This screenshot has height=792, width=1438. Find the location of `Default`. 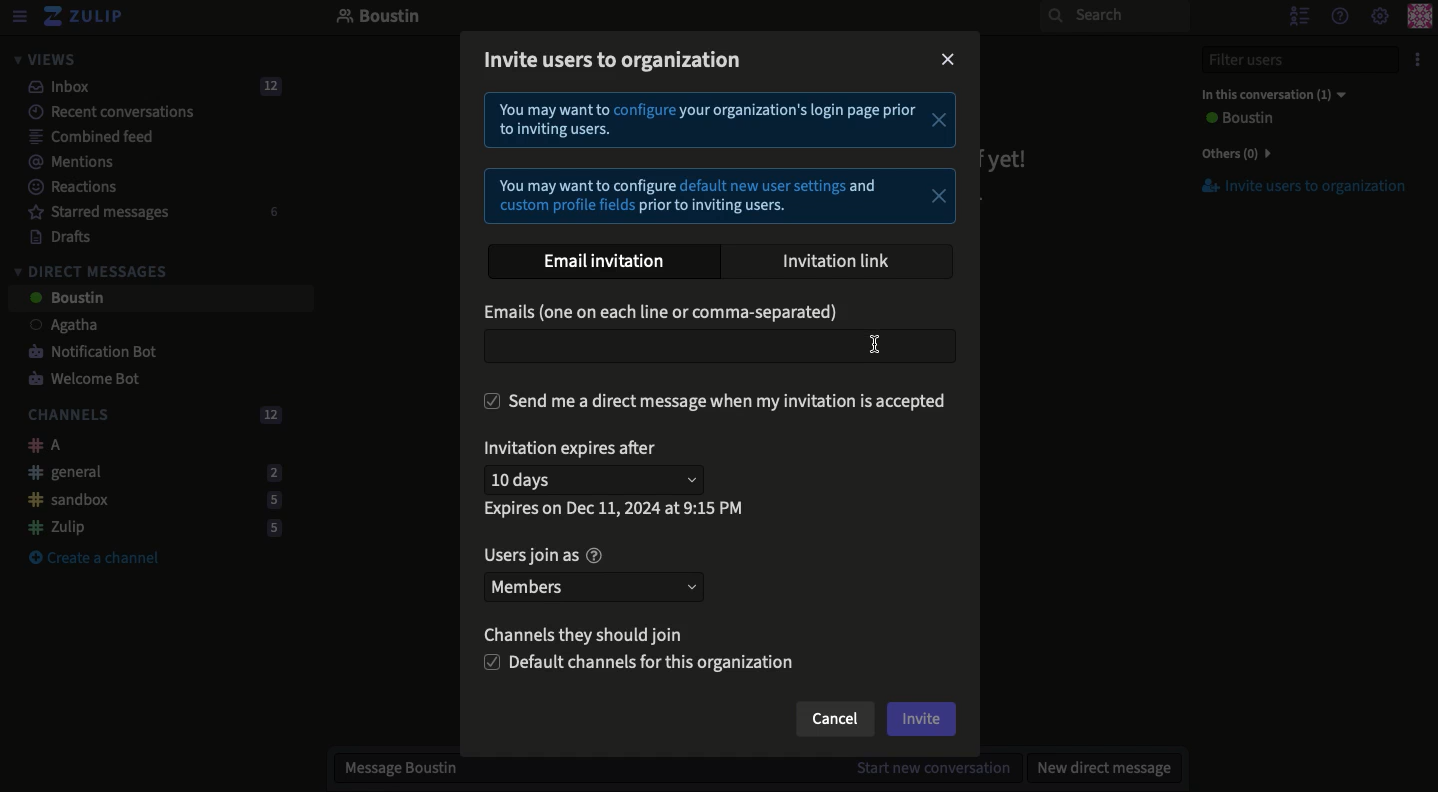

Default is located at coordinates (642, 664).